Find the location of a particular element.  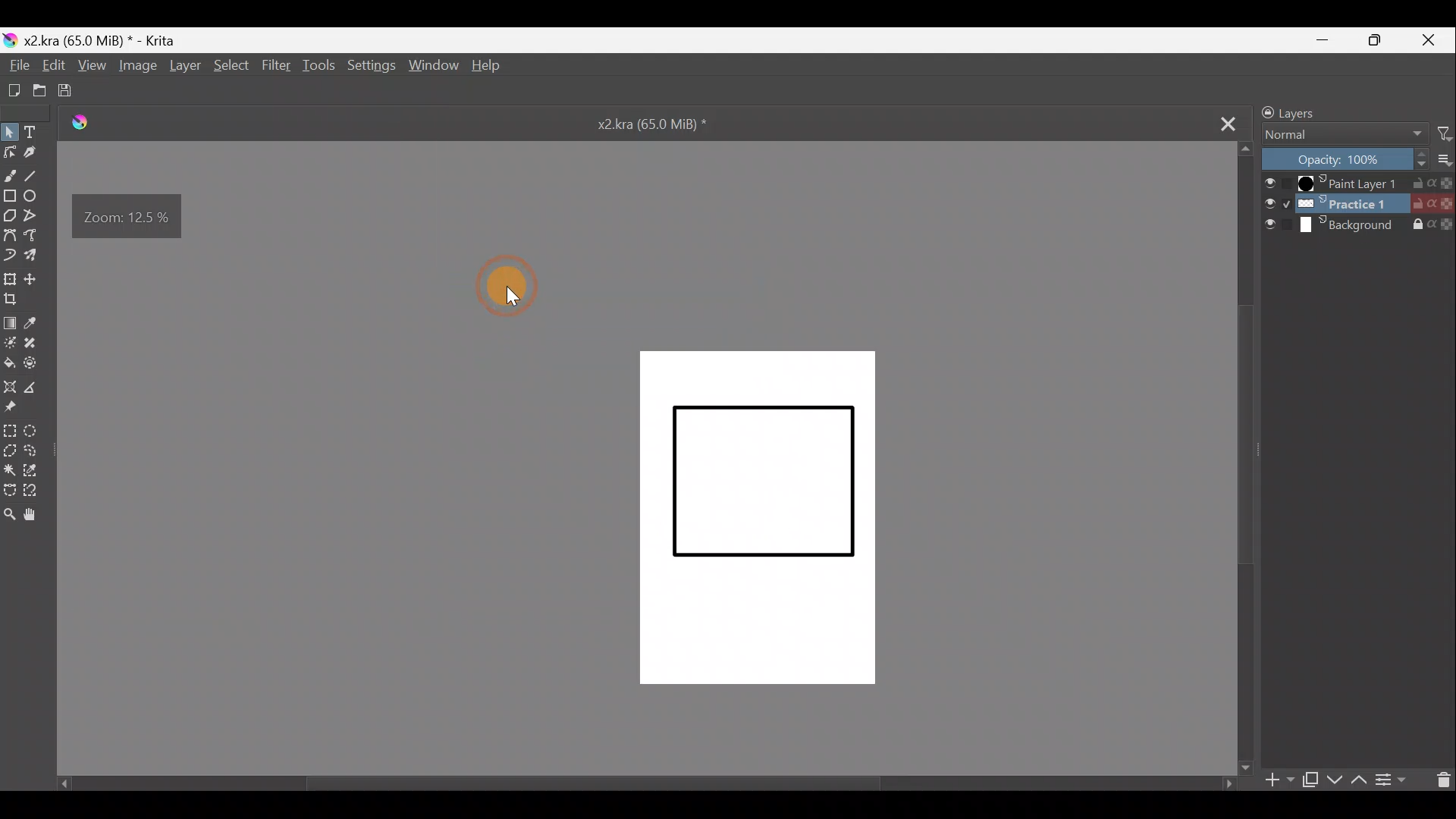

Cursor is located at coordinates (514, 283).